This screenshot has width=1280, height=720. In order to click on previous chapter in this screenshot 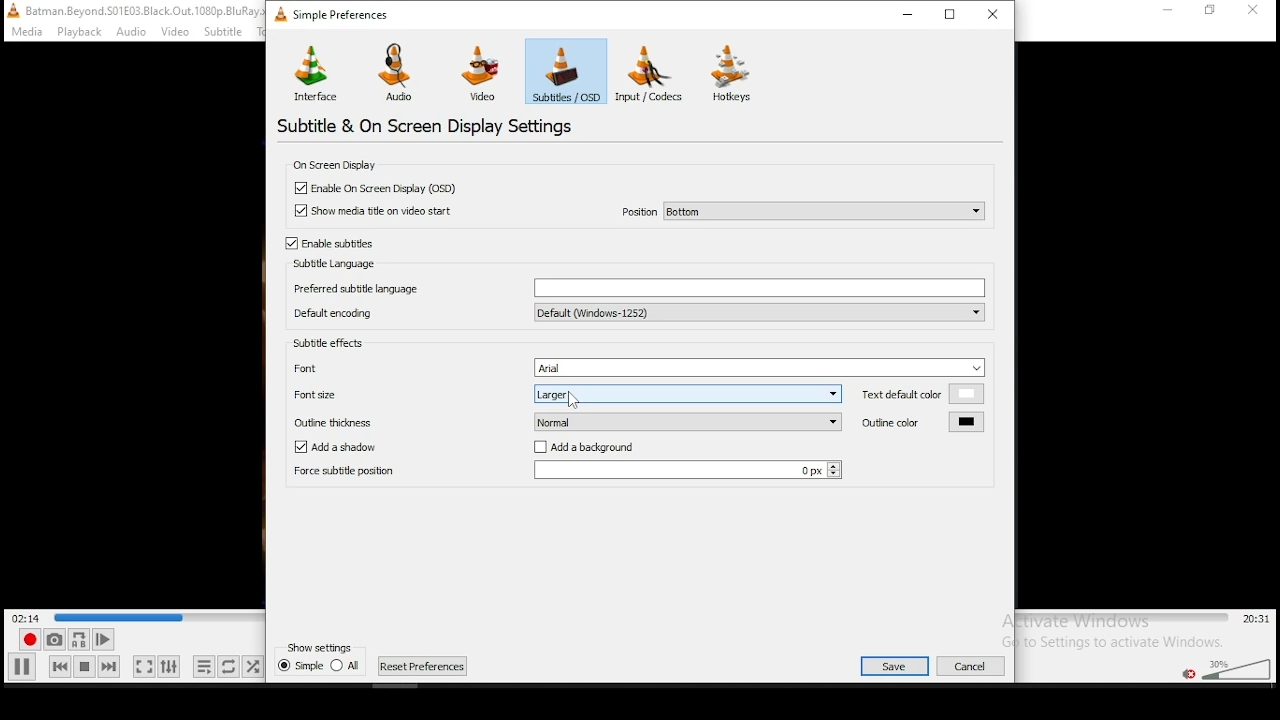, I will do `click(320, 670)`.